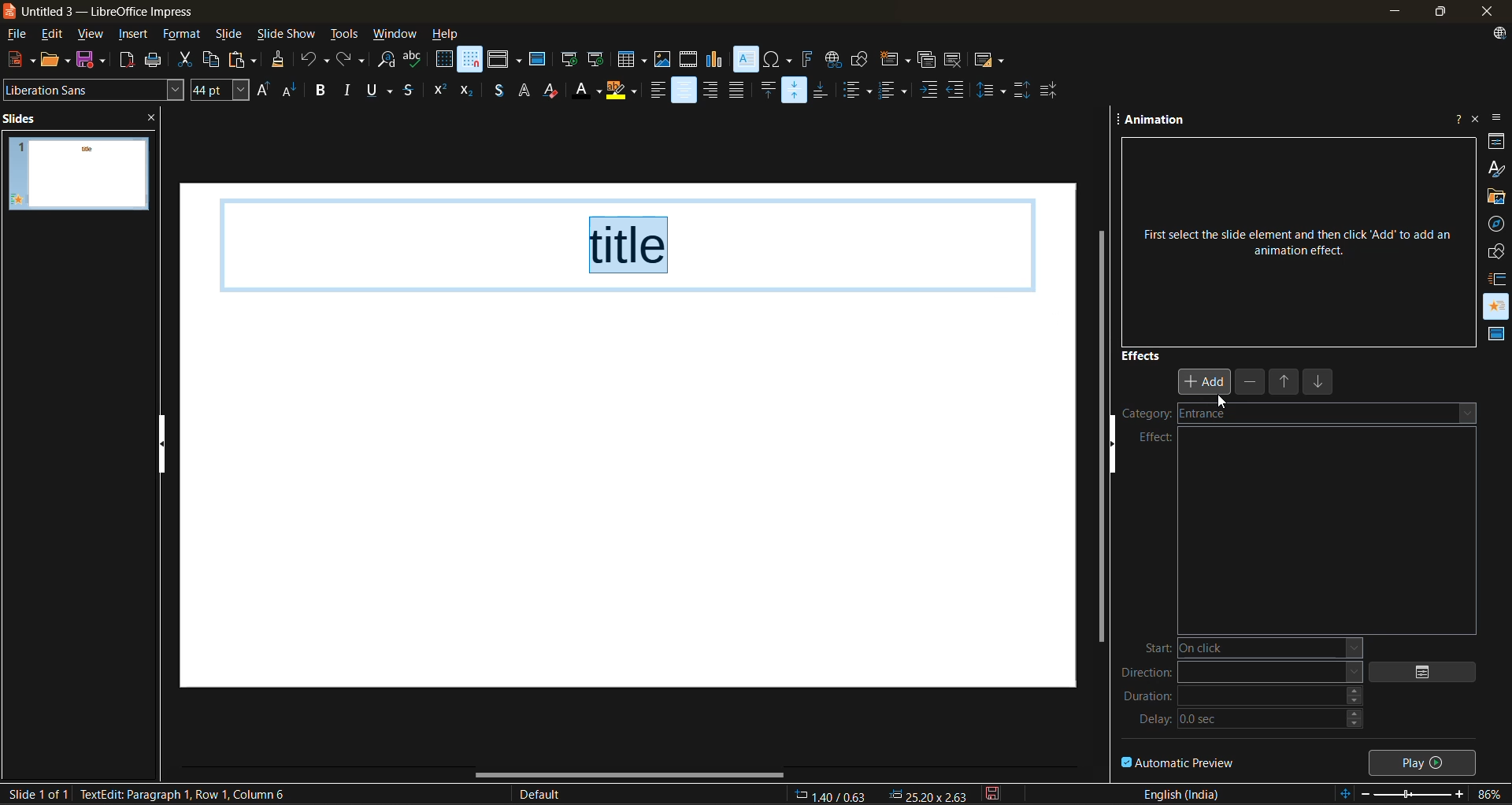 The height and width of the screenshot is (805, 1512). Describe the element at coordinates (350, 88) in the screenshot. I see `italic` at that location.